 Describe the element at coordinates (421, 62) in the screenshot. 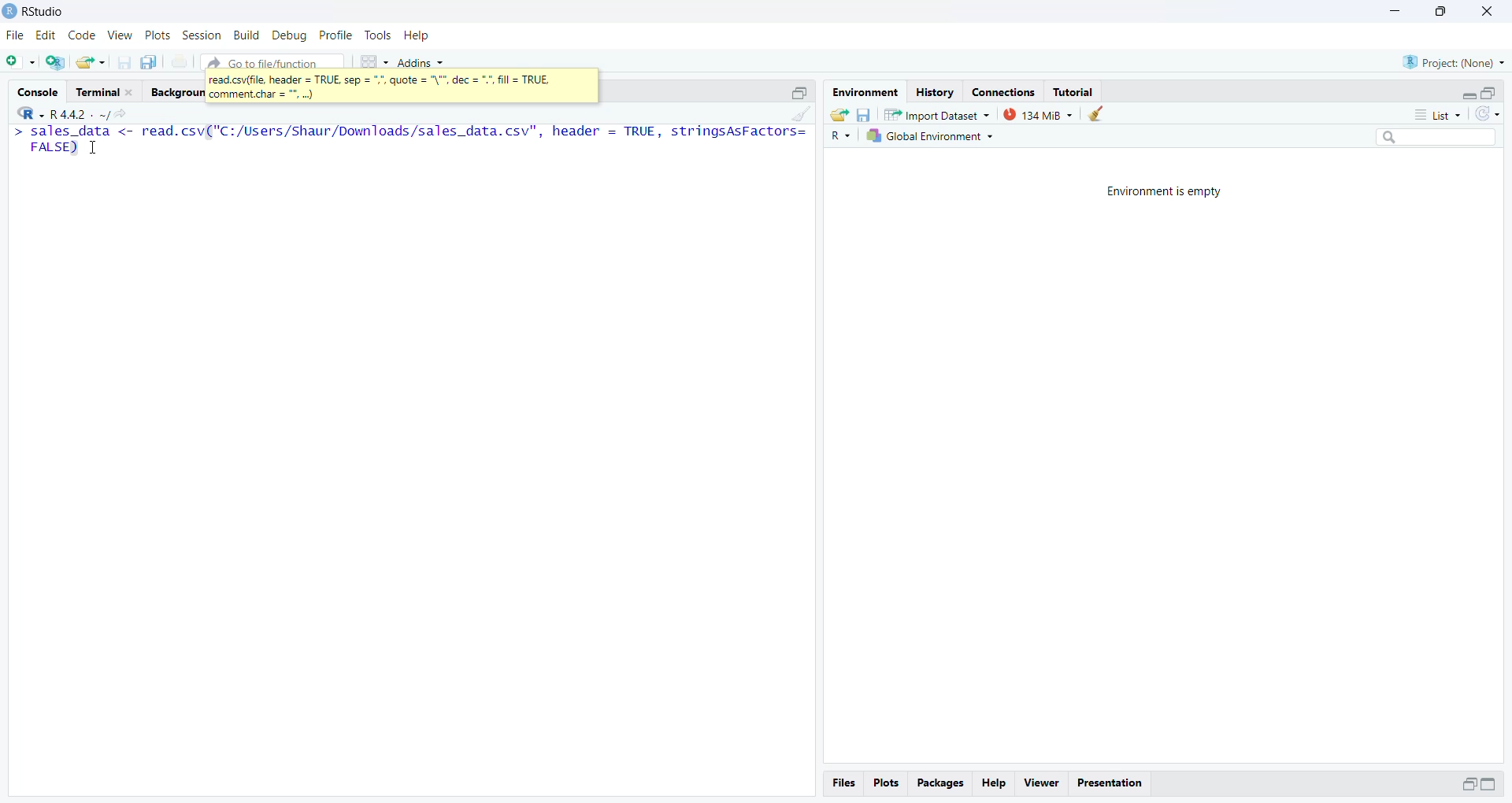

I see `Addins` at that location.